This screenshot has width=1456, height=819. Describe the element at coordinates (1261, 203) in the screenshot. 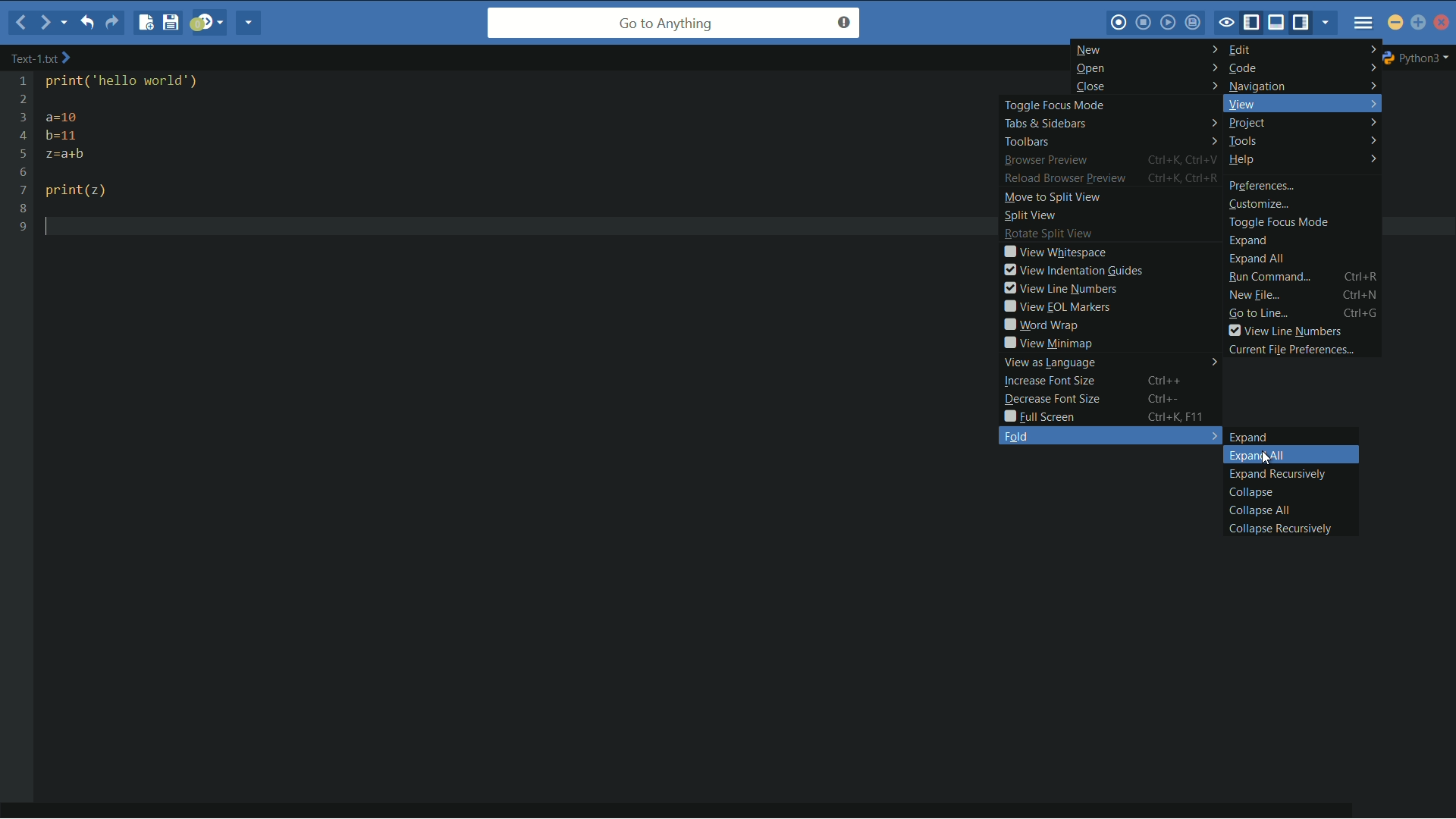

I see `customize` at that location.